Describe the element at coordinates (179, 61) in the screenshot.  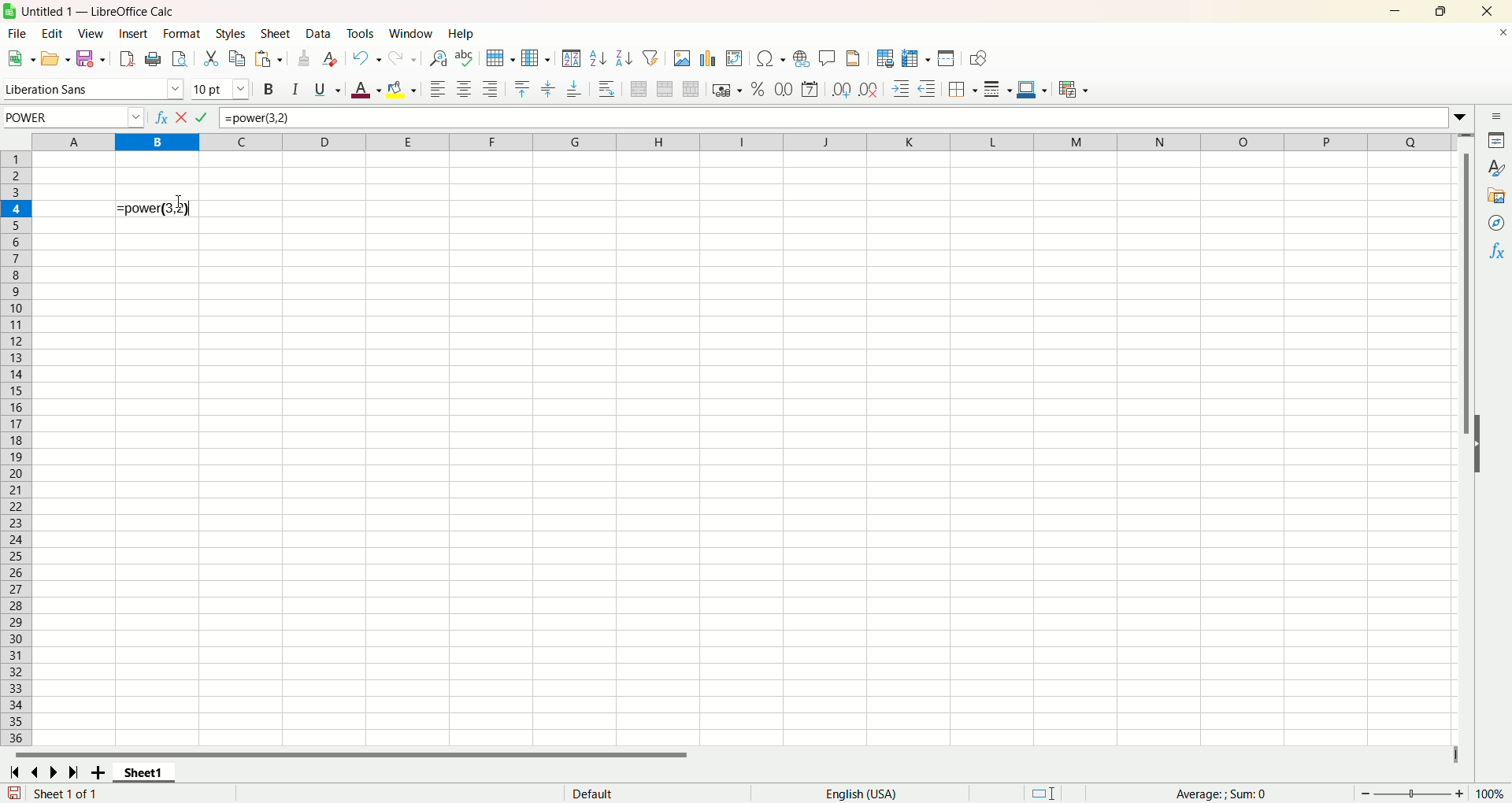
I see `print preview` at that location.